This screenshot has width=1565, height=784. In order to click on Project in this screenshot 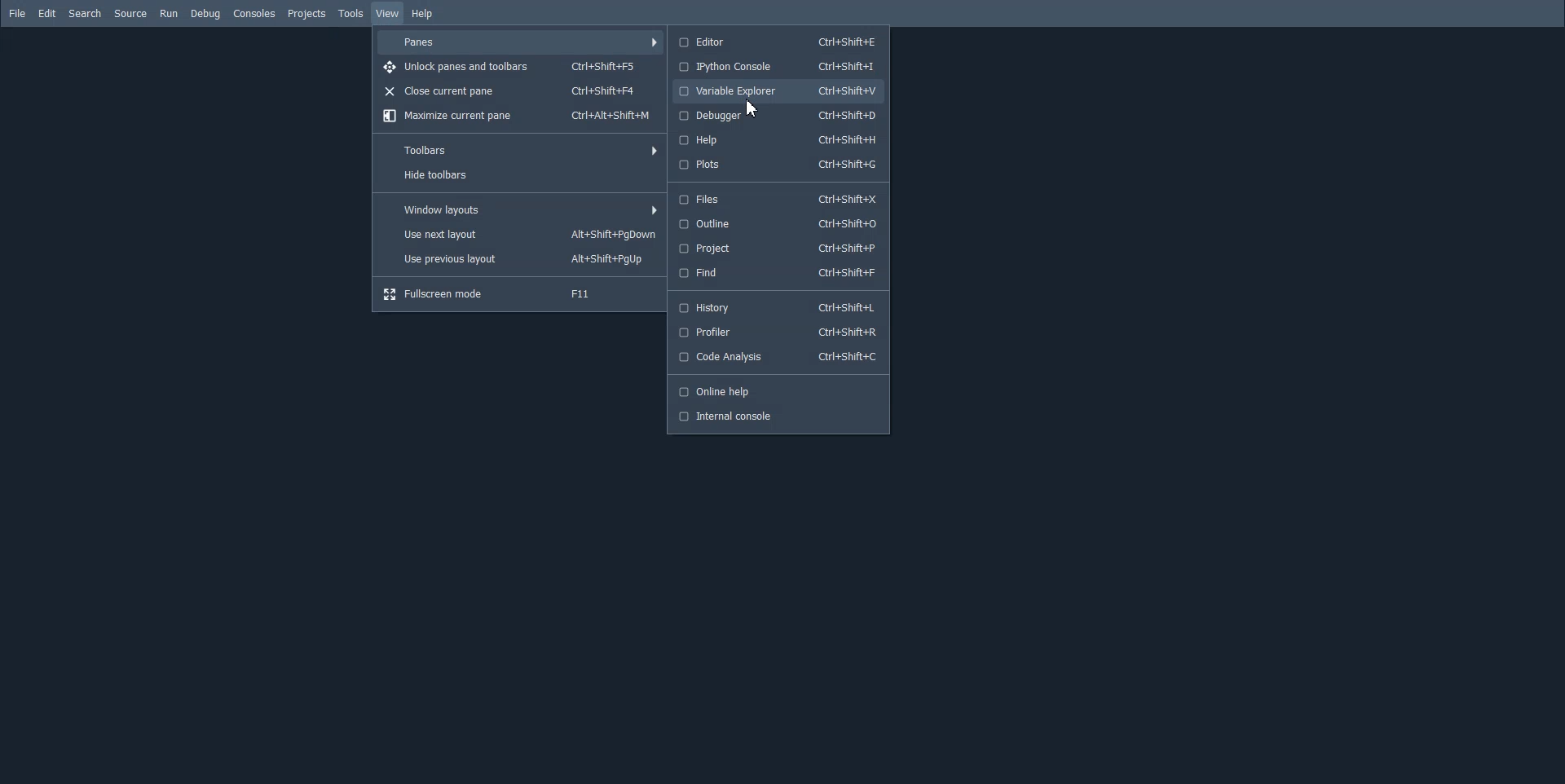, I will do `click(777, 247)`.